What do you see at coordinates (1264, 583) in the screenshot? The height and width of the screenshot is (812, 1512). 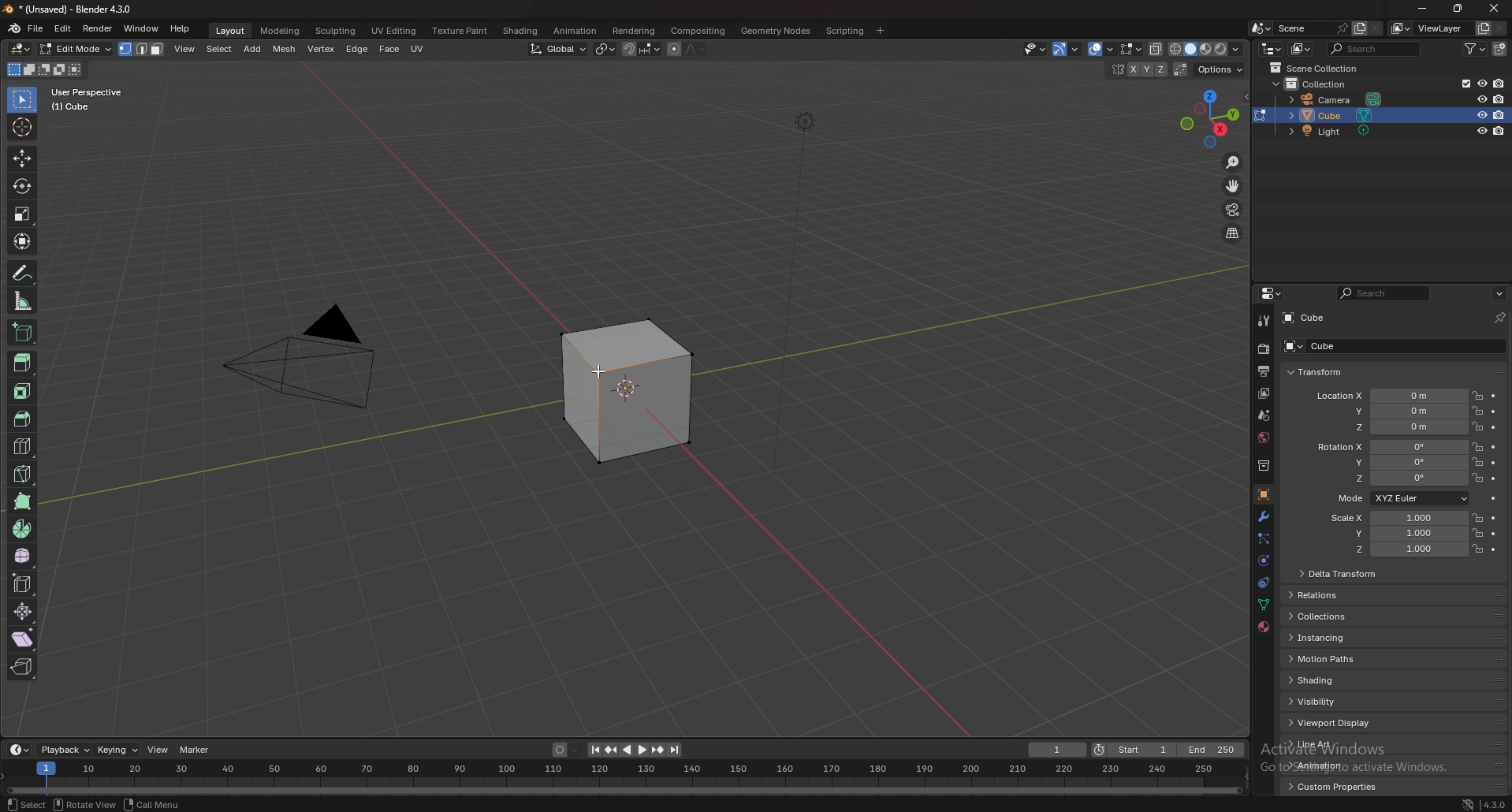 I see `constraints` at bounding box center [1264, 583].